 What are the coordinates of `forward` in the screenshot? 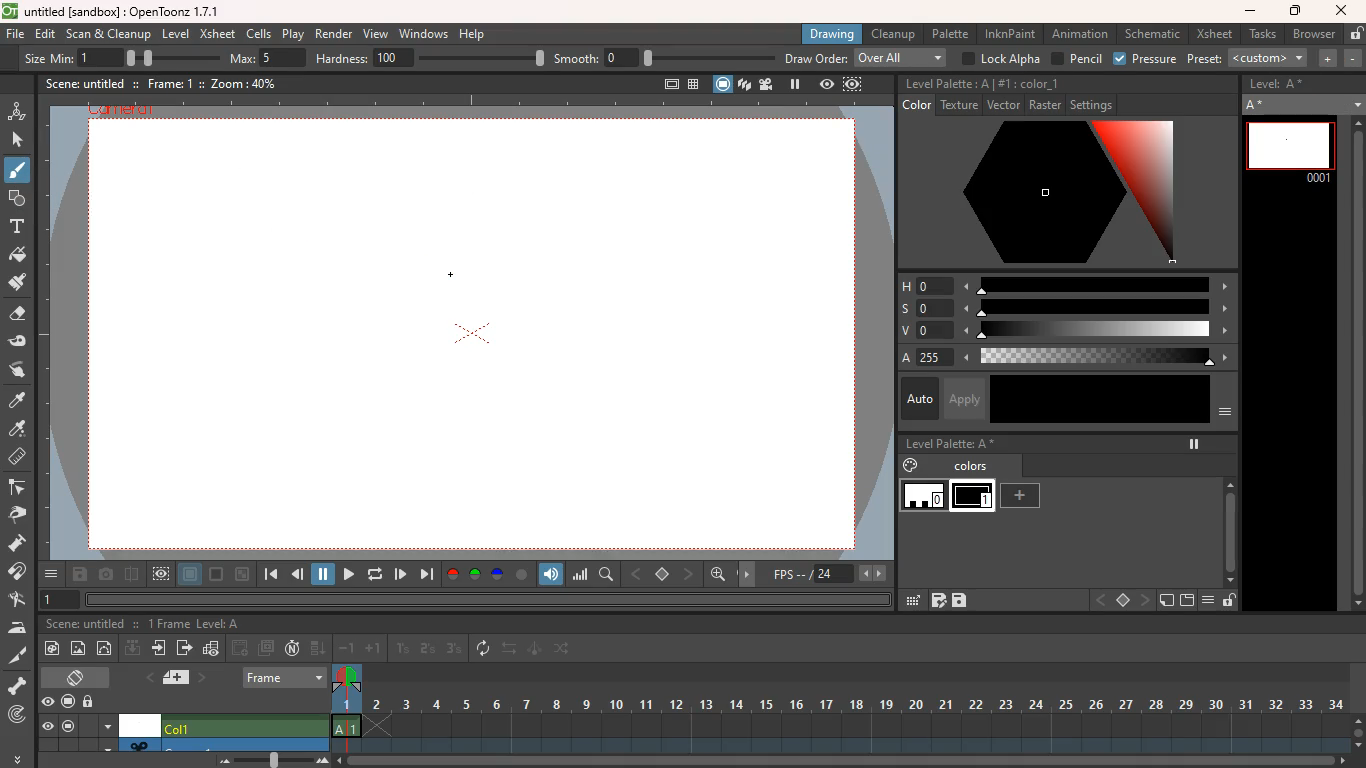 It's located at (184, 650).